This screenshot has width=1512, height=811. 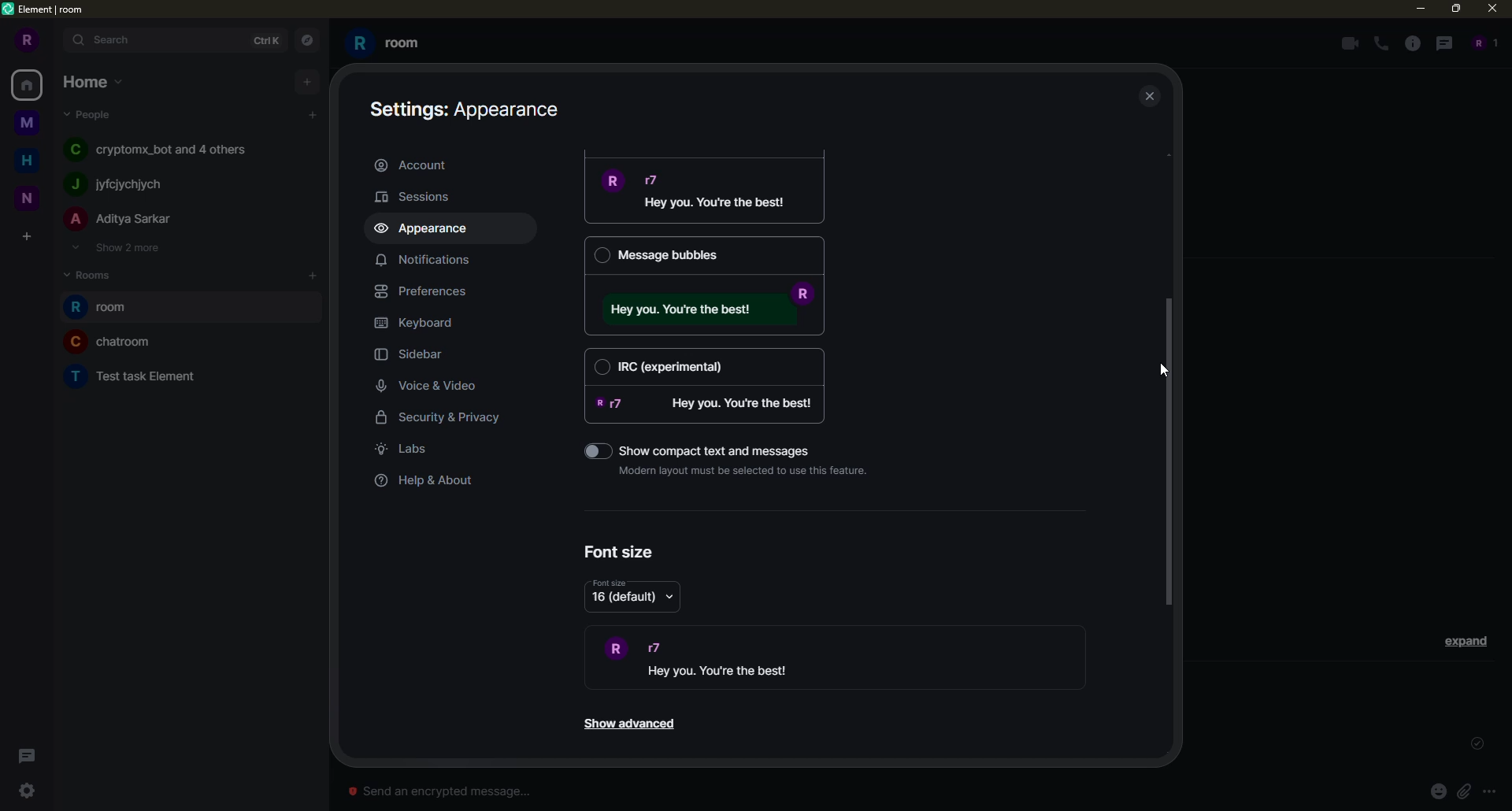 I want to click on message, so click(x=710, y=404).